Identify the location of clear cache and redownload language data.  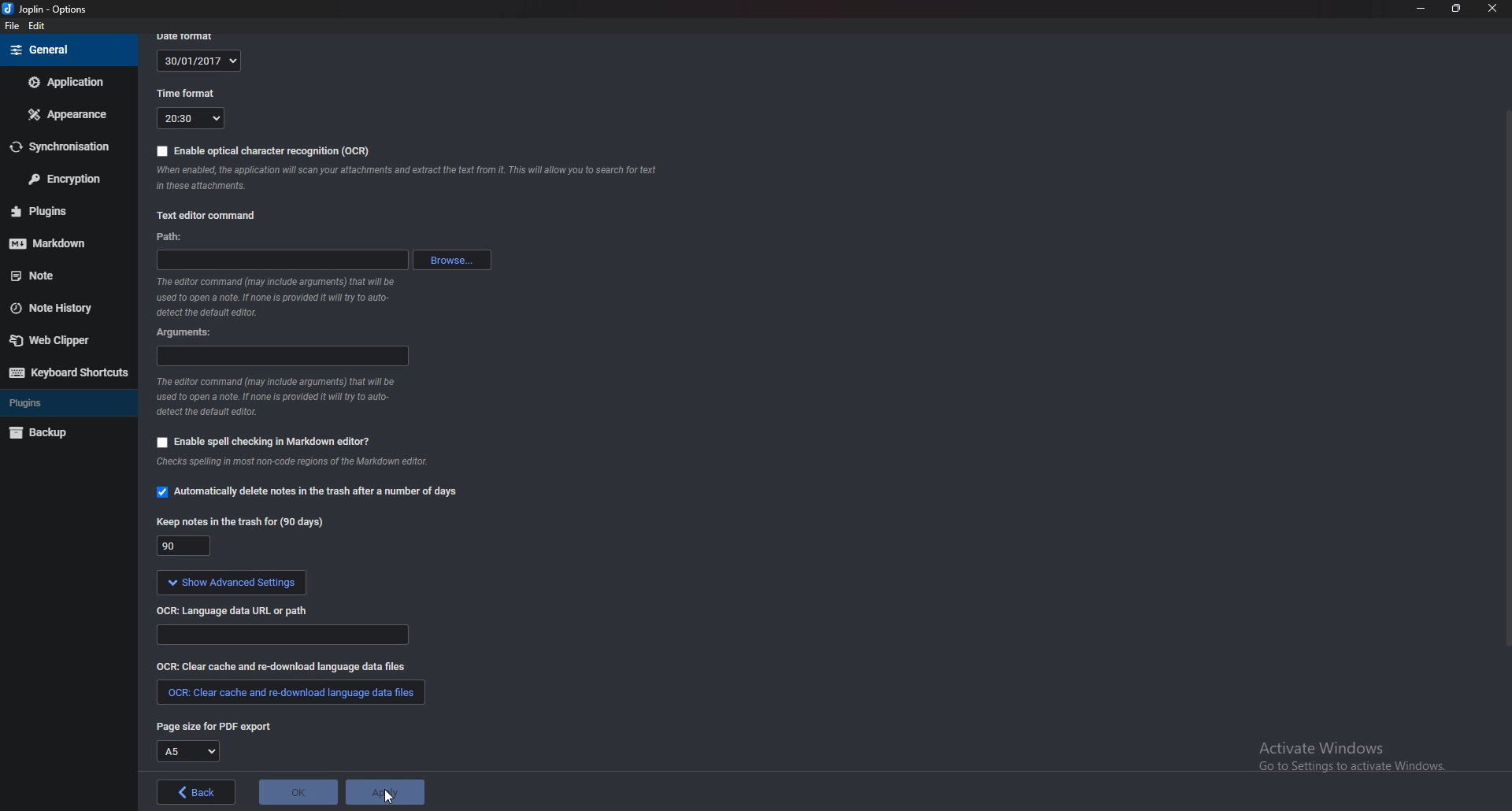
(280, 667).